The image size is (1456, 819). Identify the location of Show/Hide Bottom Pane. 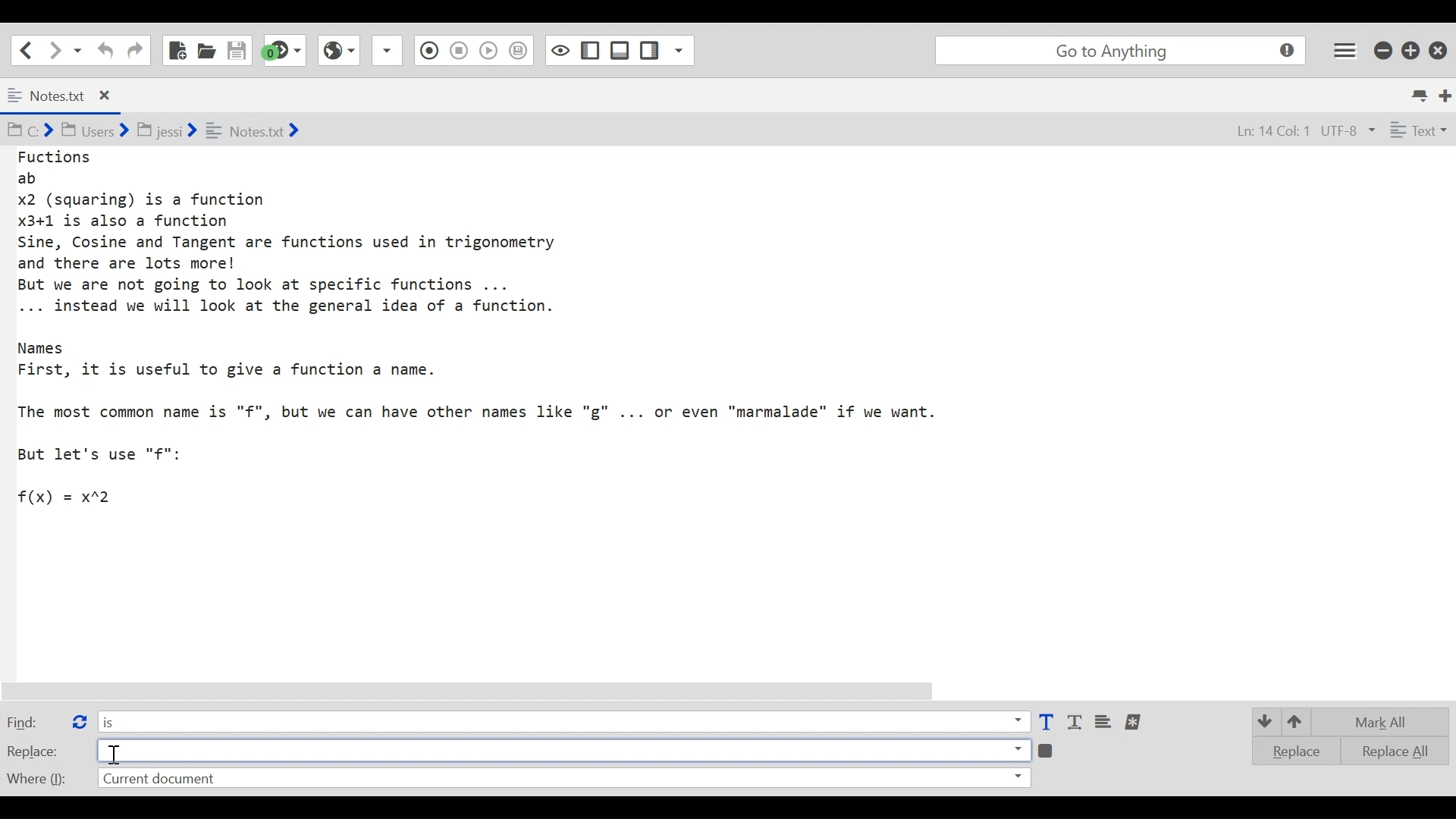
(591, 51).